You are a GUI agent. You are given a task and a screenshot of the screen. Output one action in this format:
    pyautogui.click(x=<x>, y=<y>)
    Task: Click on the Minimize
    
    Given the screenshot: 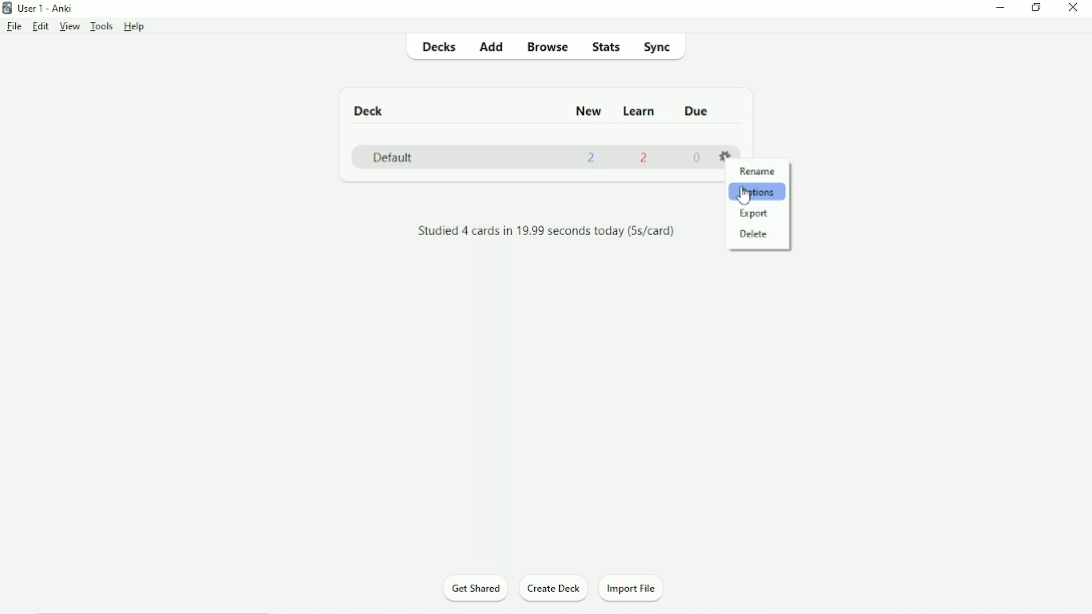 What is the action you would take?
    pyautogui.click(x=1002, y=9)
    